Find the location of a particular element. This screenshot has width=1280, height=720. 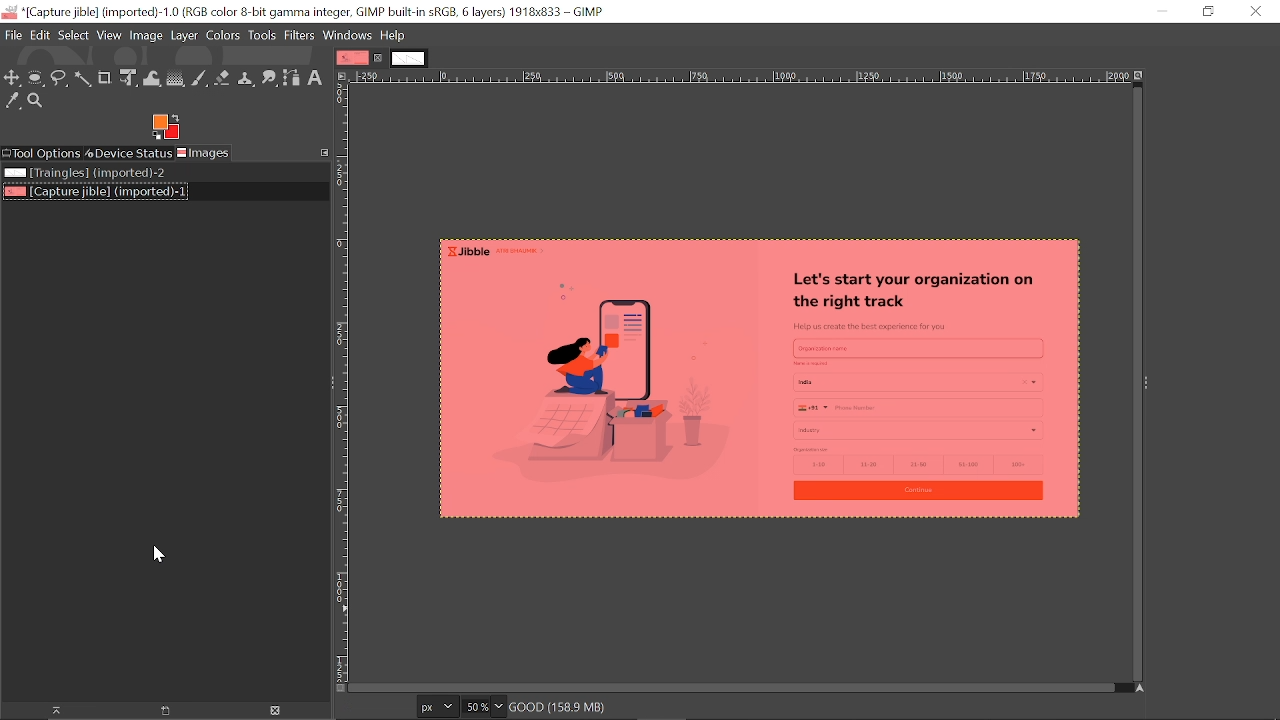

Filters is located at coordinates (302, 36).